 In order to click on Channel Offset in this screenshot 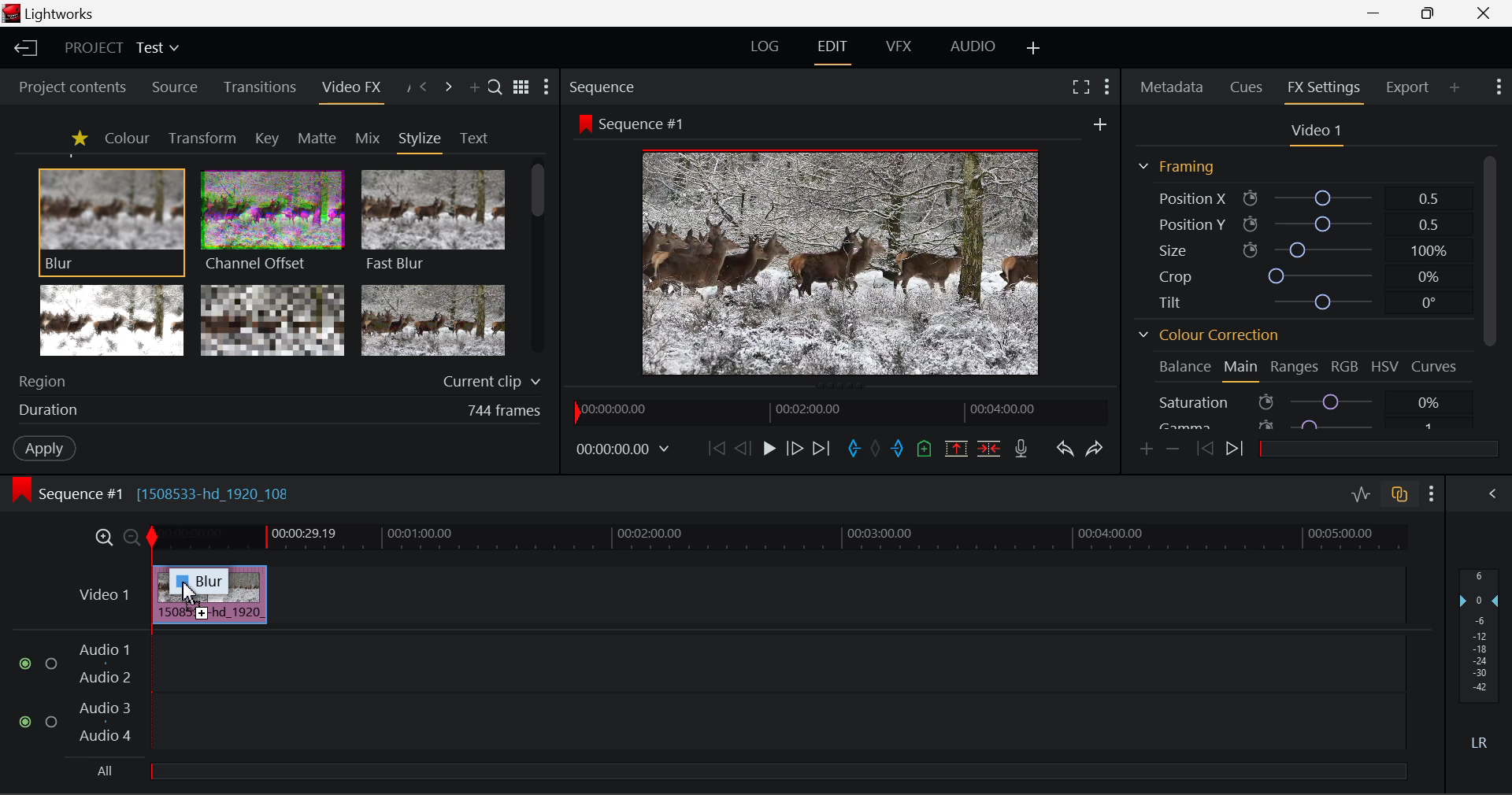, I will do `click(269, 219)`.